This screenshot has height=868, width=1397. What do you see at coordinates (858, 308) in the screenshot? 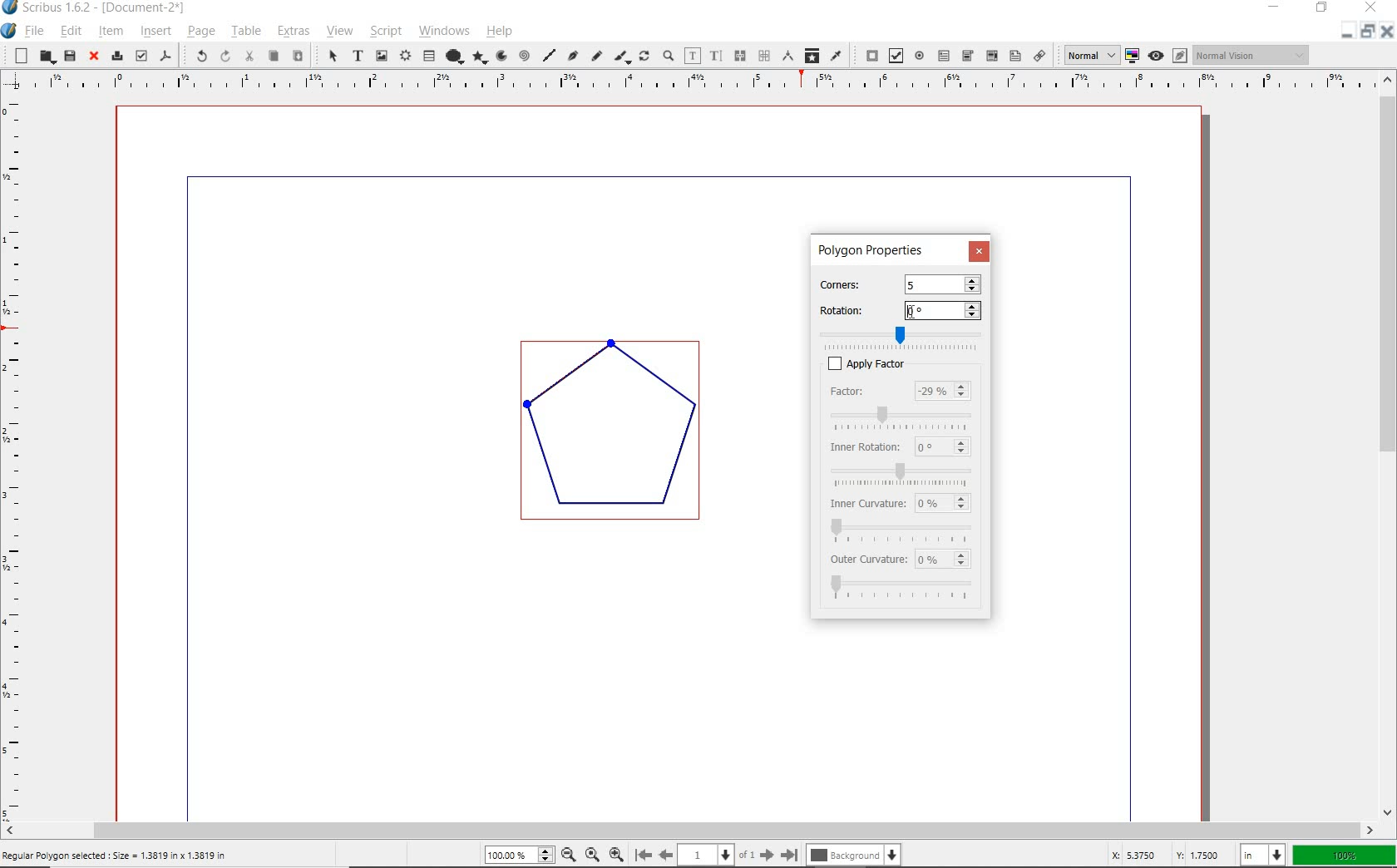
I see `ROTATION` at bounding box center [858, 308].